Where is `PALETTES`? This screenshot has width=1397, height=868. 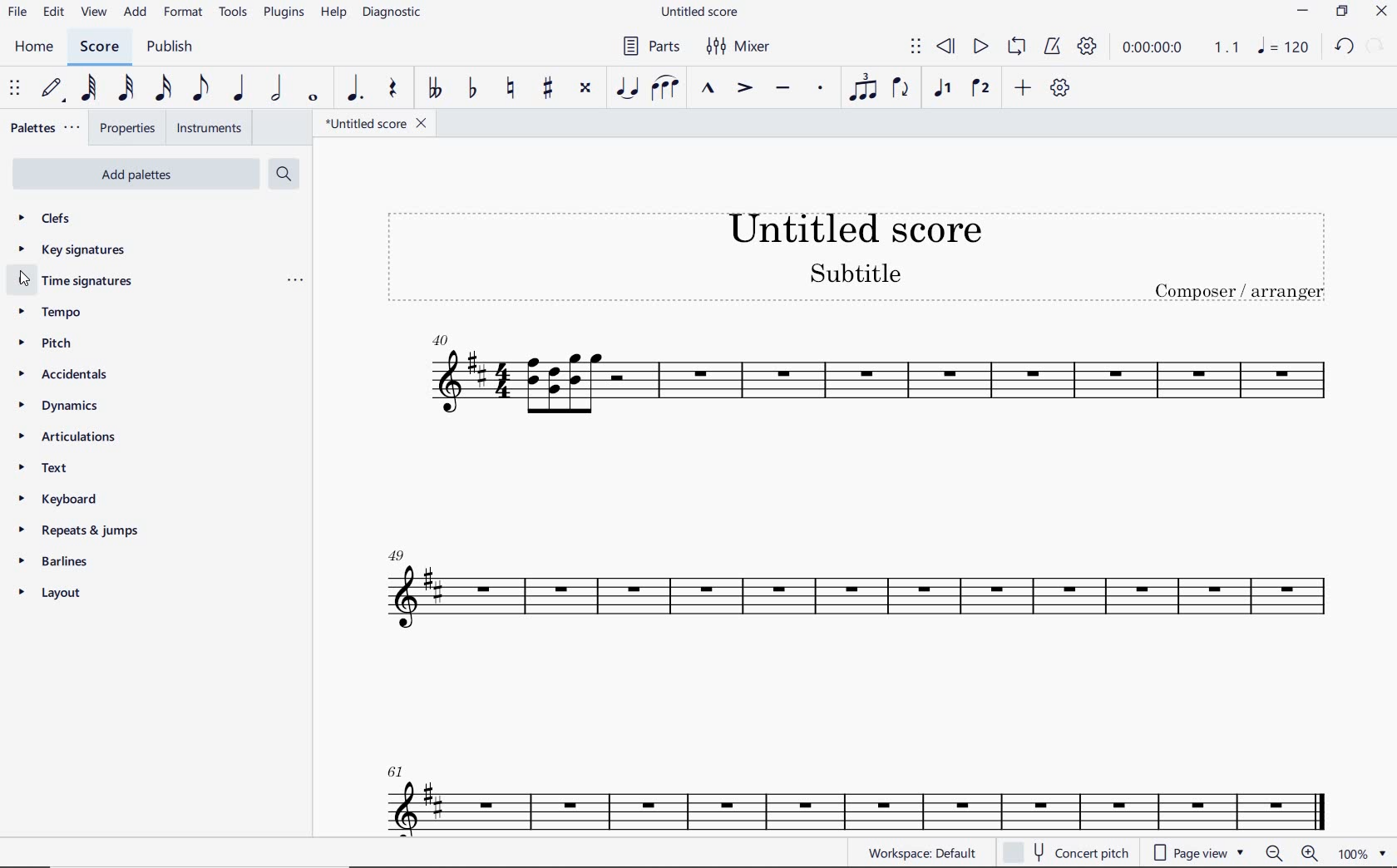
PALETTES is located at coordinates (46, 128).